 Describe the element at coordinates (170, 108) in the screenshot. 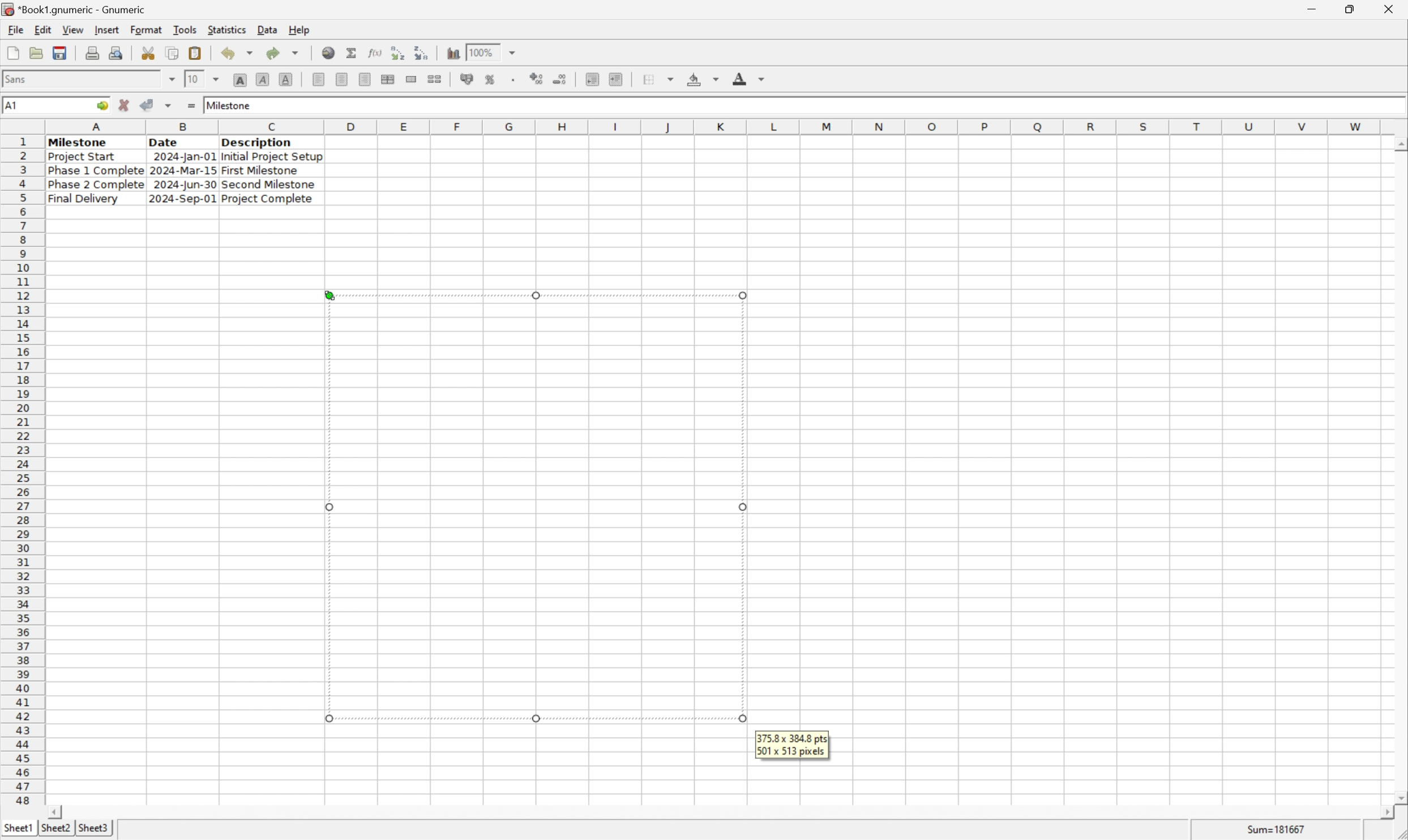

I see `accept changes in multiple cells` at that location.